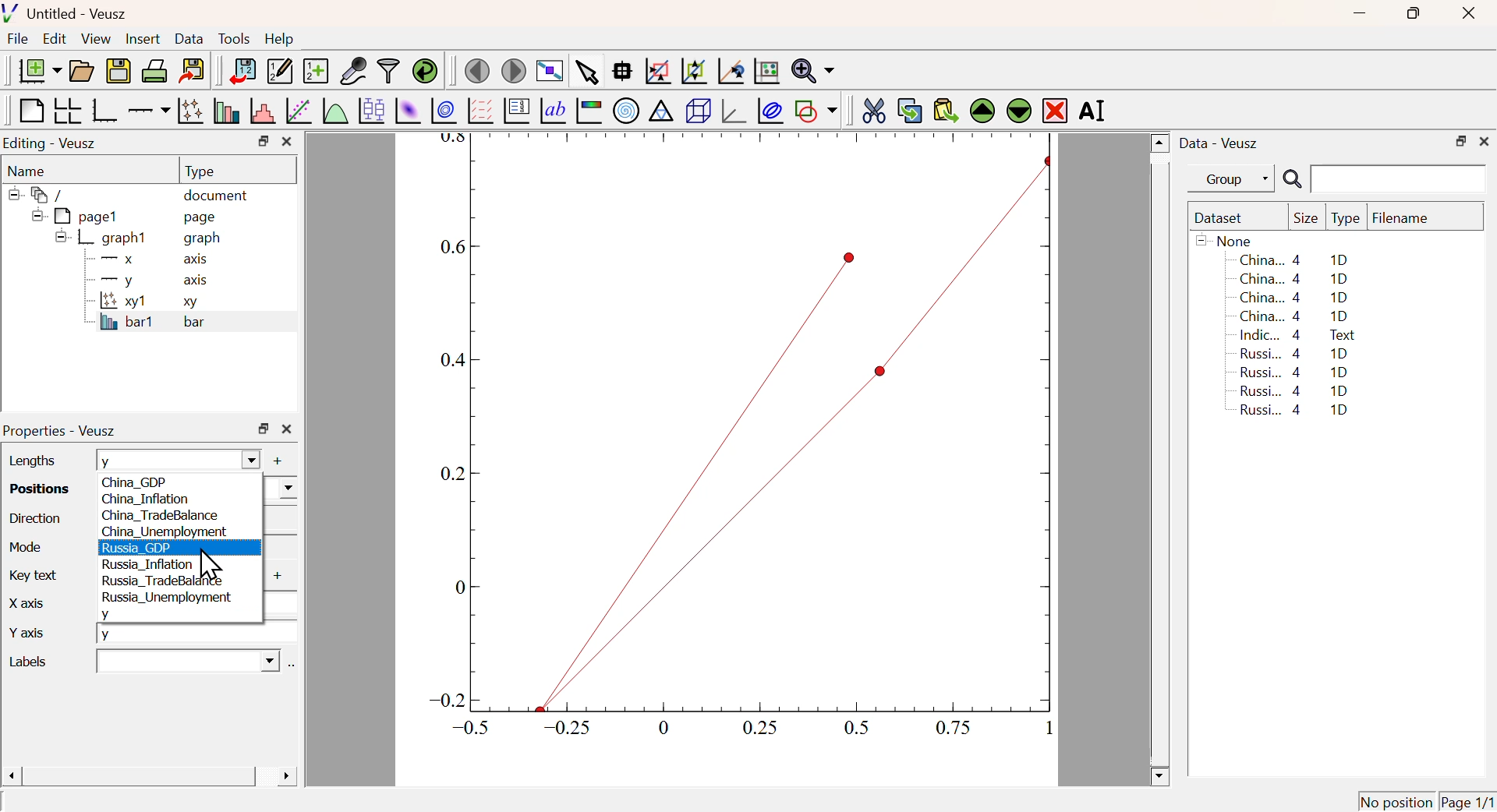 The width and height of the screenshot is (1497, 812). What do you see at coordinates (1095, 110) in the screenshot?
I see `Rename` at bounding box center [1095, 110].